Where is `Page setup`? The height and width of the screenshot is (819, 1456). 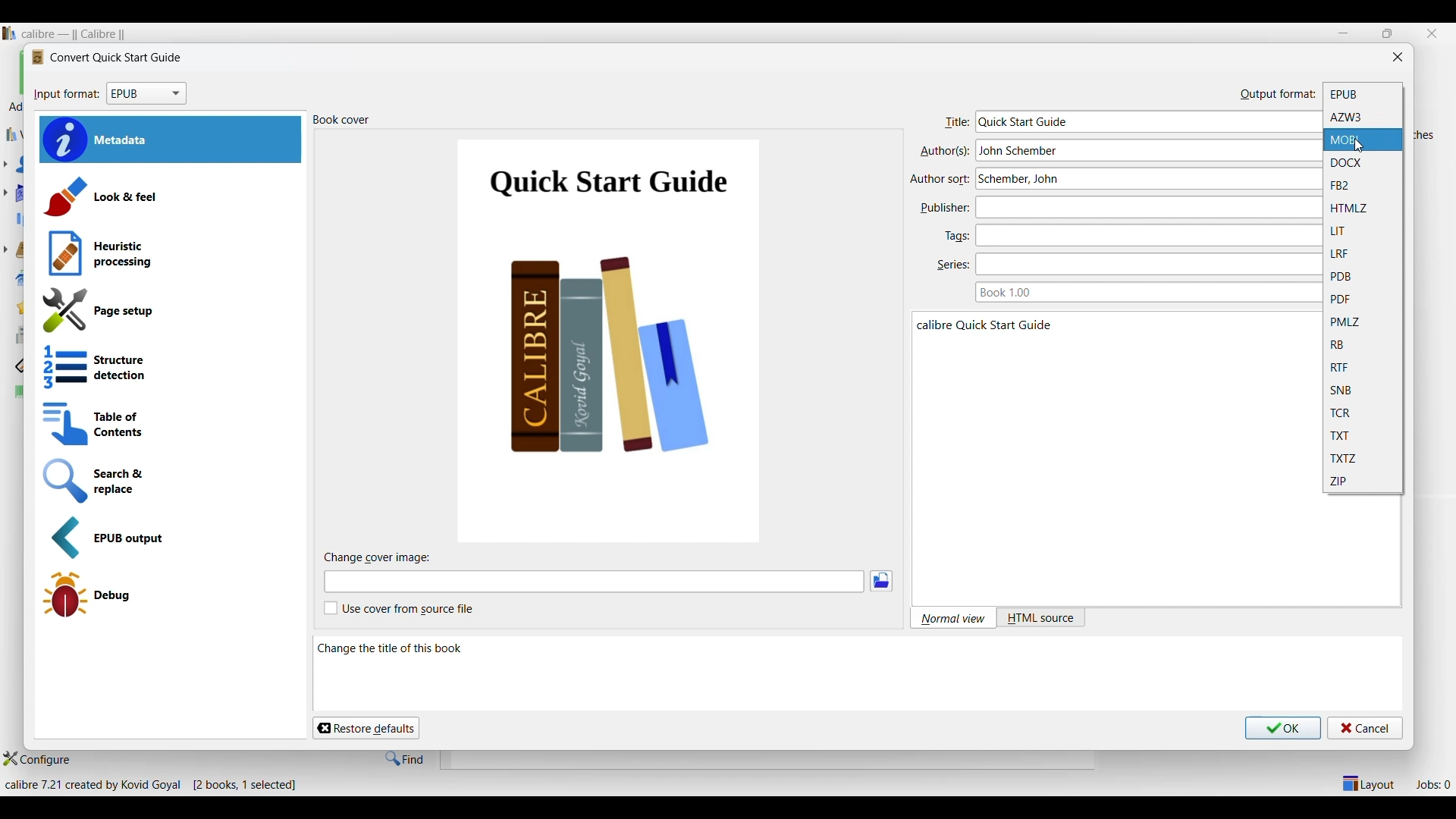
Page setup is located at coordinates (168, 311).